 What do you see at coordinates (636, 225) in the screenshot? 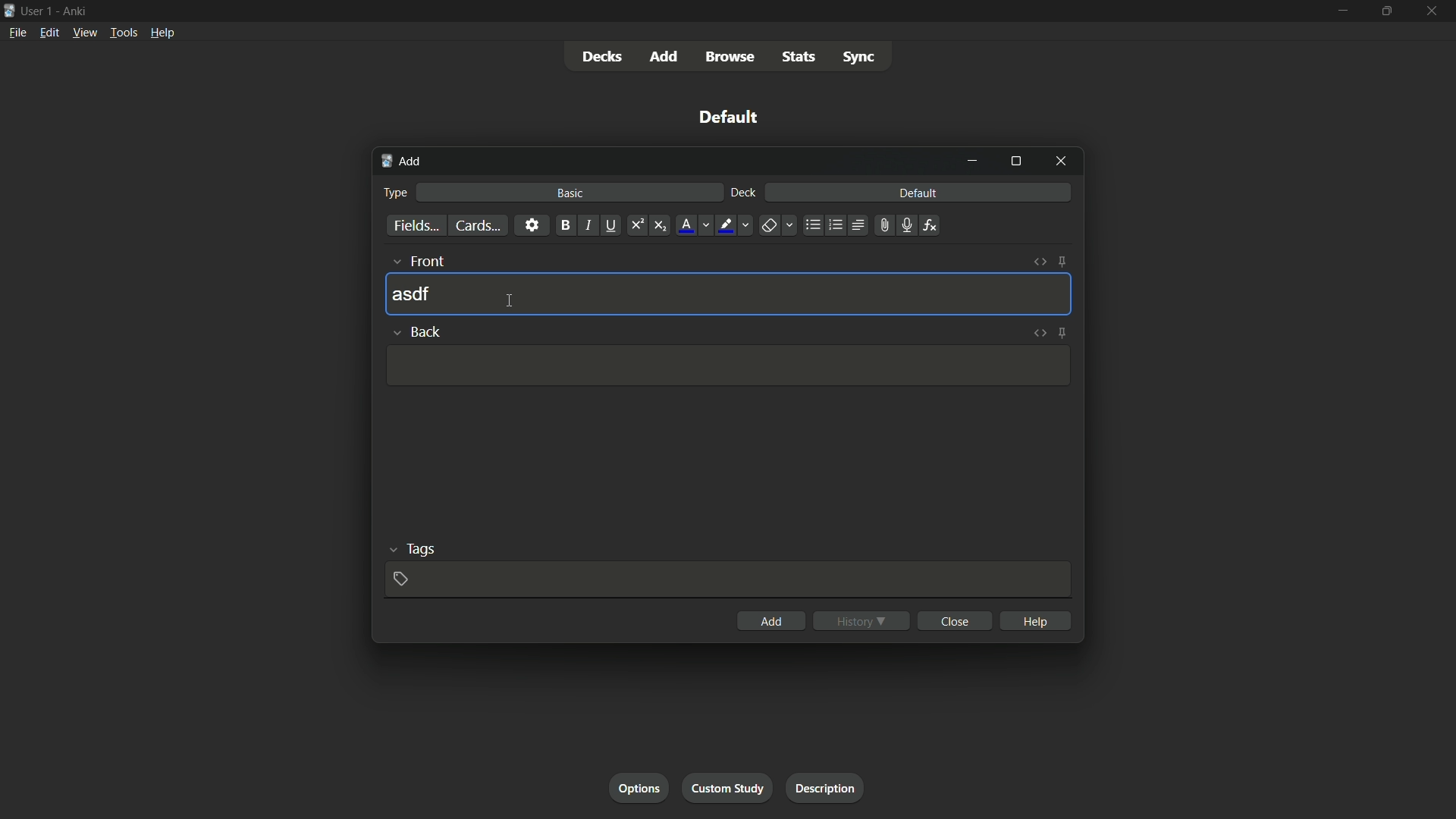
I see `superscript` at bounding box center [636, 225].